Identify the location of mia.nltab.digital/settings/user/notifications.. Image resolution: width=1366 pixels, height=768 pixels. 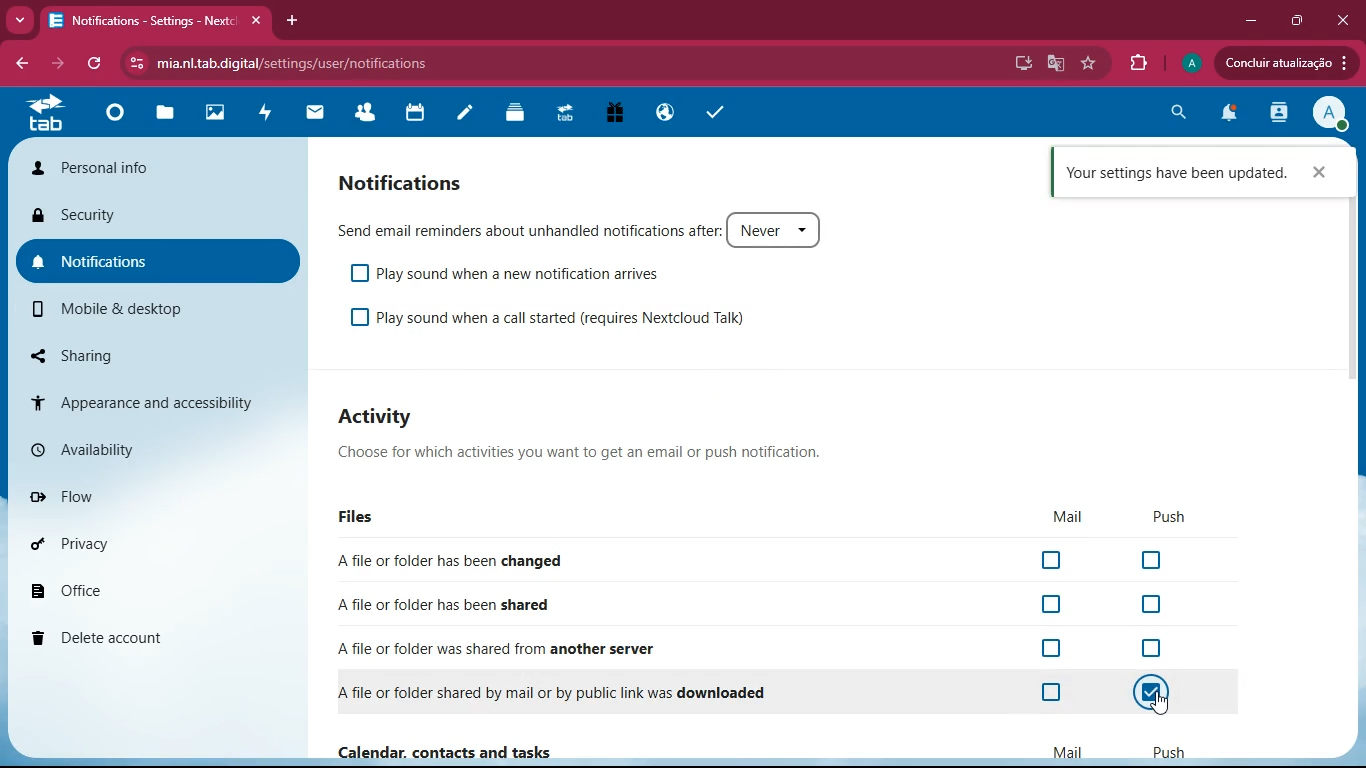
(293, 66).